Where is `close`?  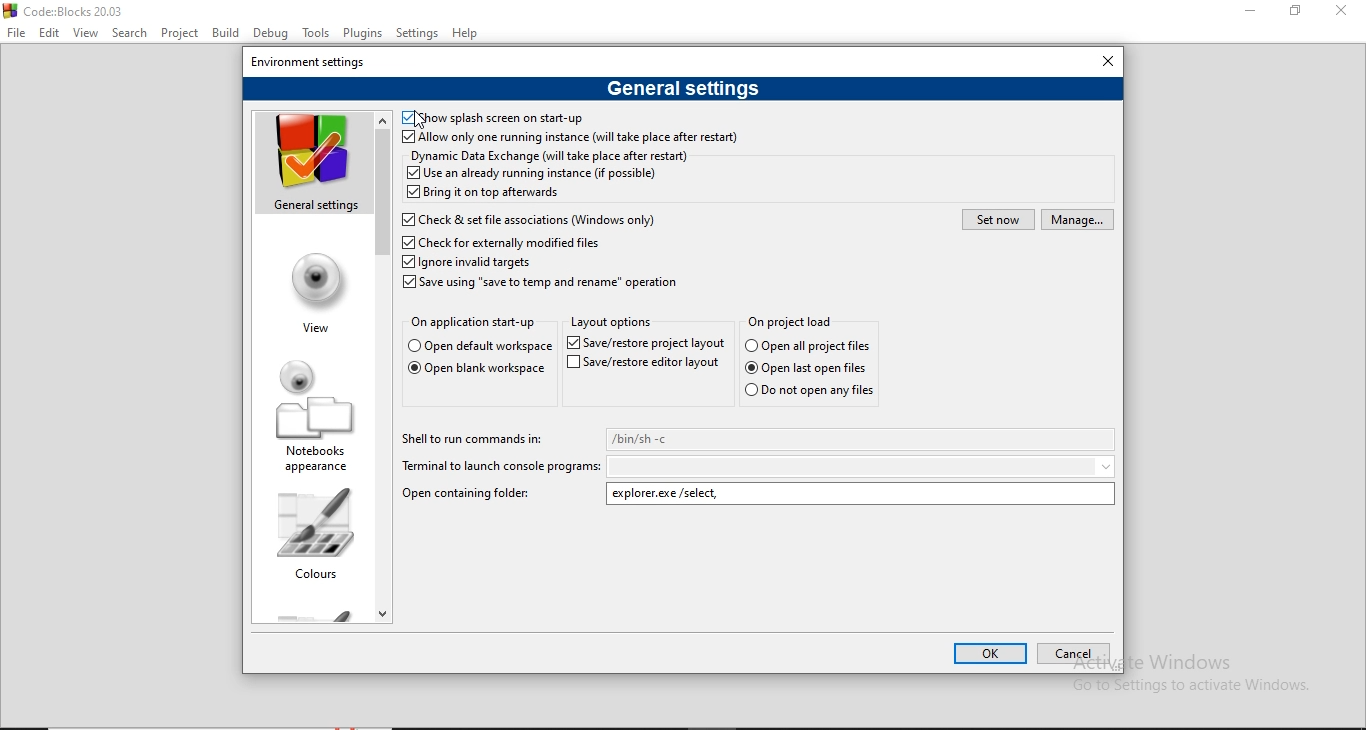 close is located at coordinates (1107, 60).